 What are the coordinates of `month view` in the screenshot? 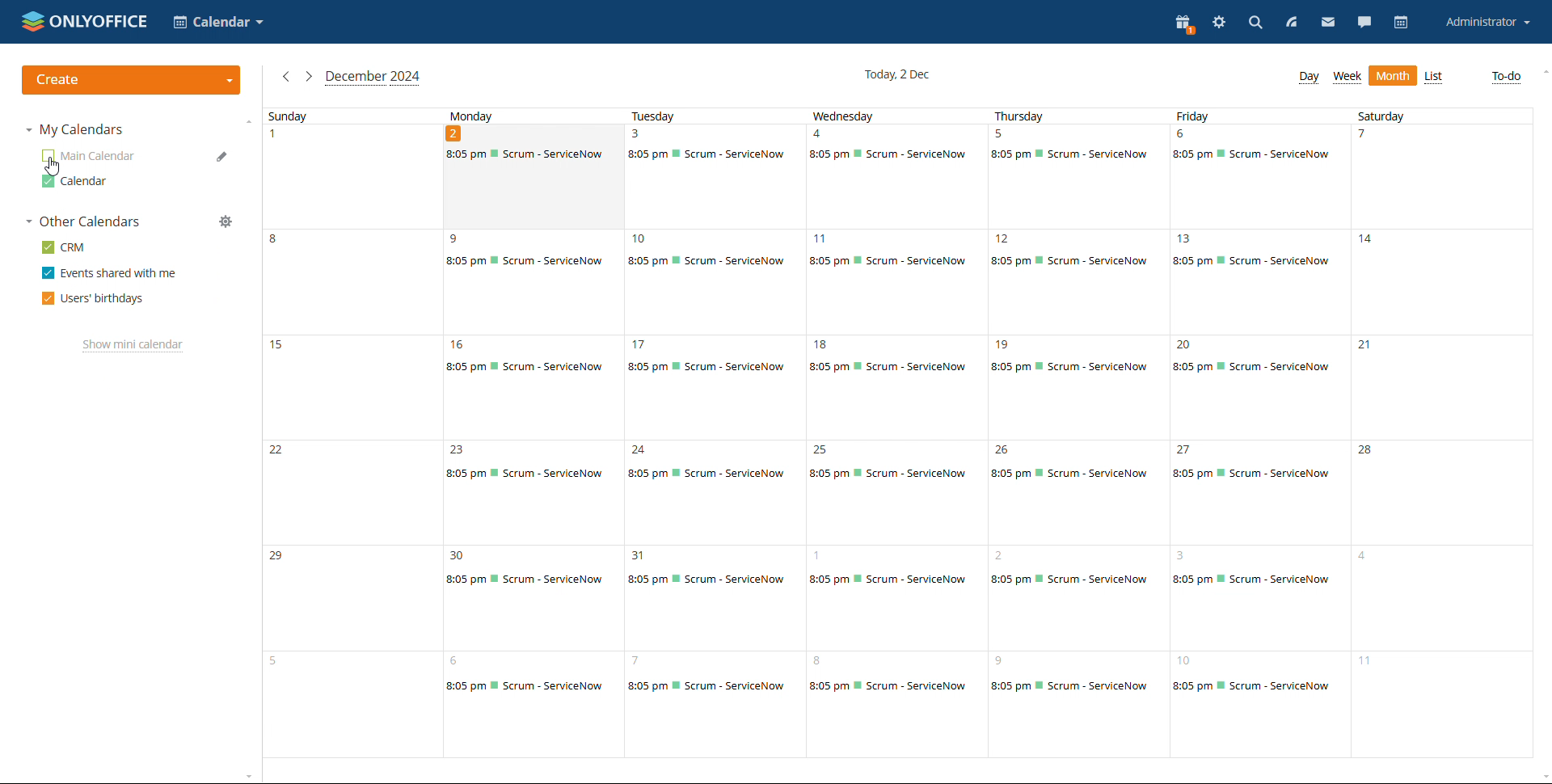 It's located at (1392, 76).